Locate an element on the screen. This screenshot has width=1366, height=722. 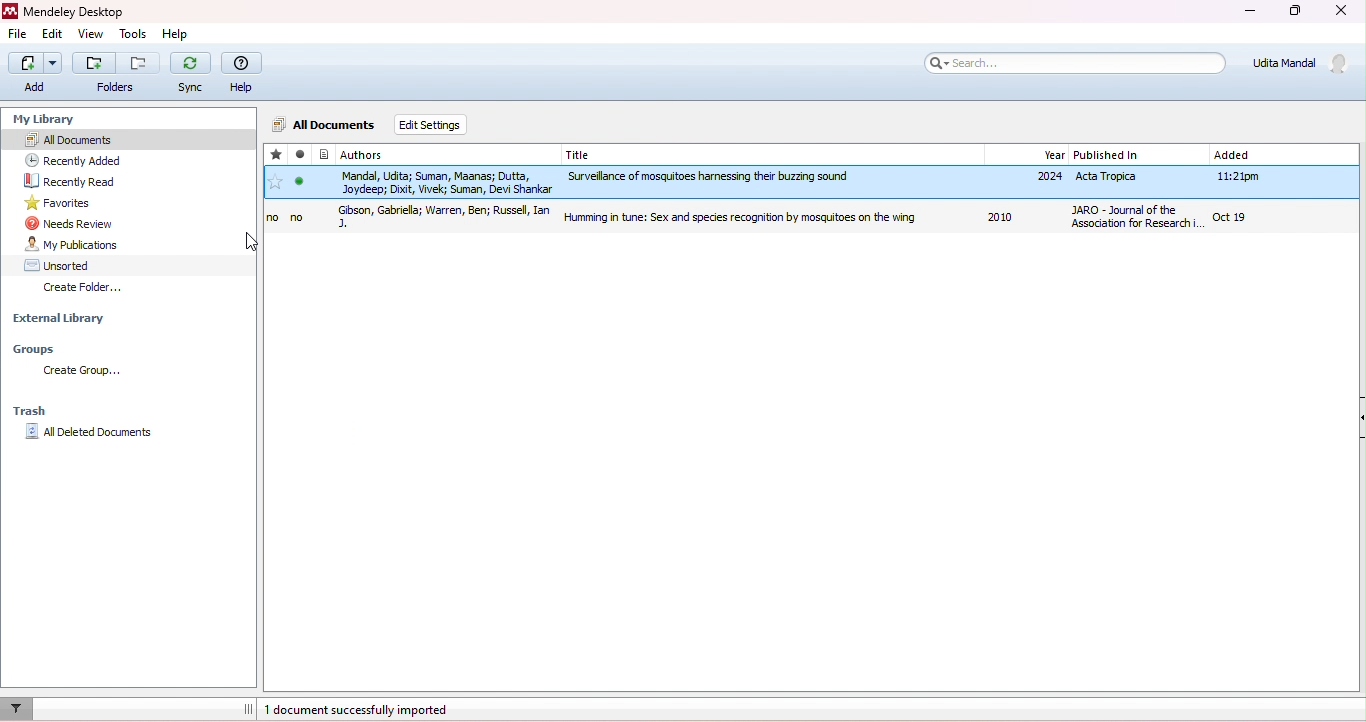
Remove folder is located at coordinates (137, 63).